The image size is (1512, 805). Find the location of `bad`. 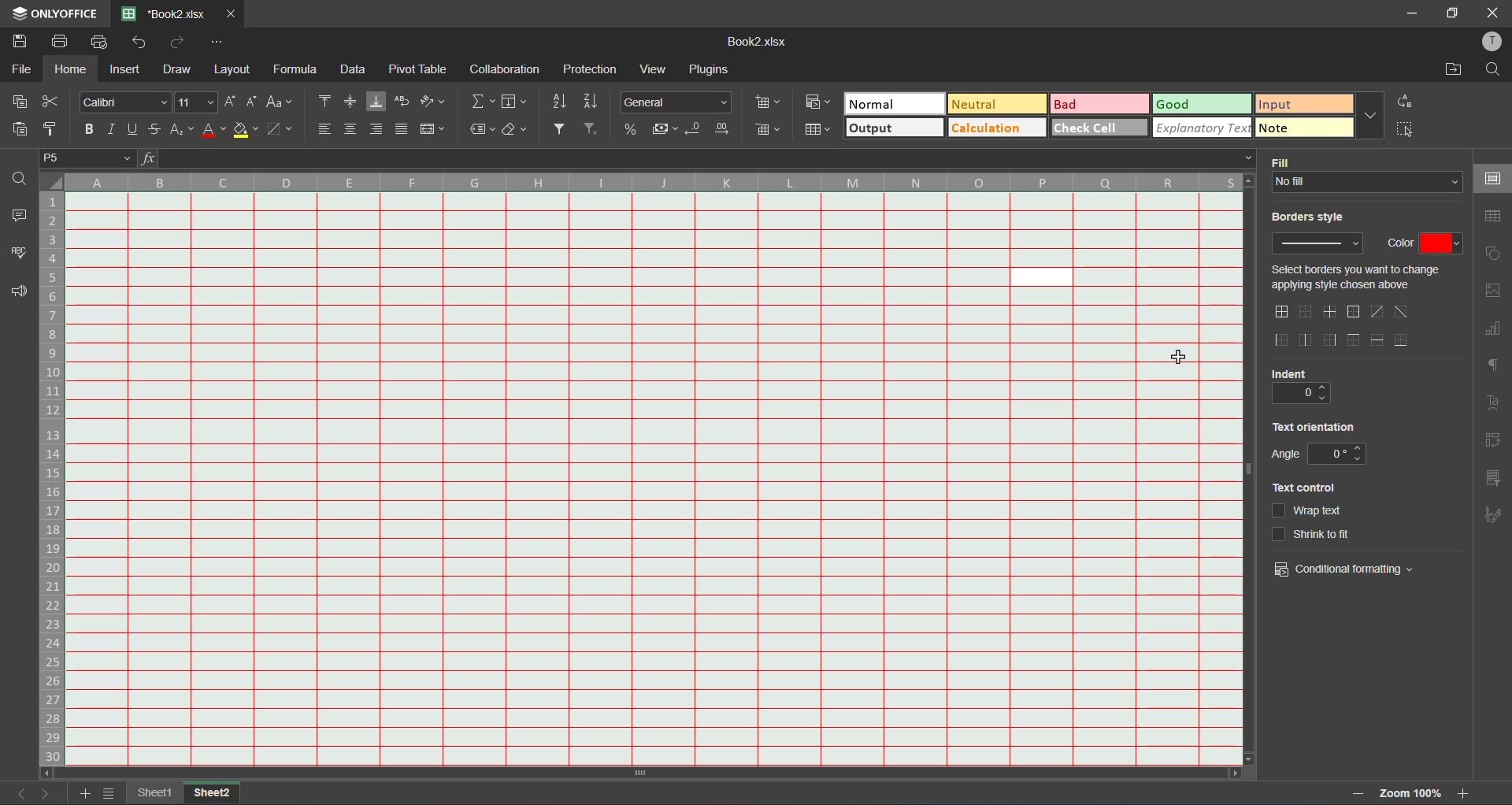

bad is located at coordinates (1102, 104).